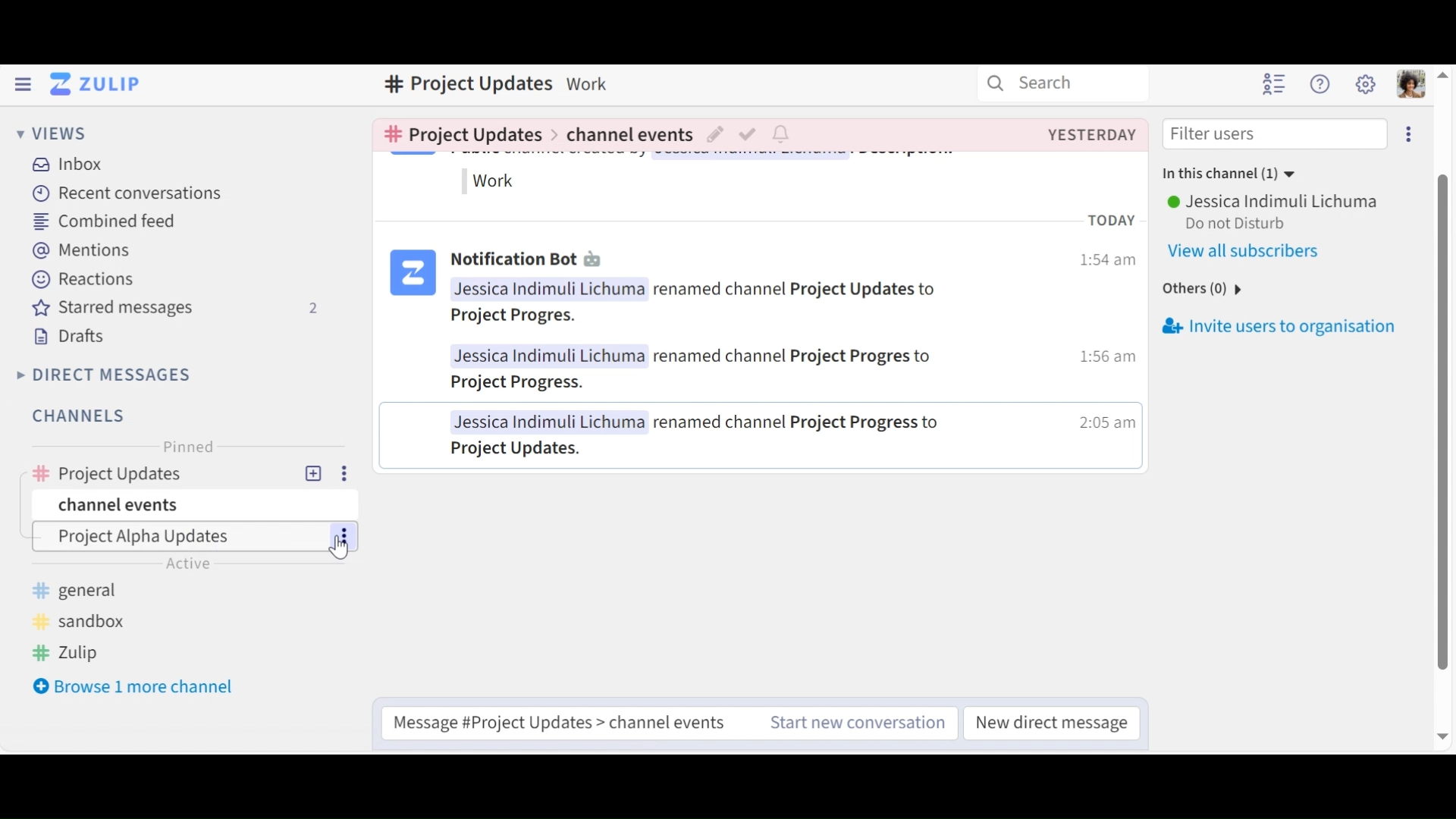 This screenshot has width=1456, height=819. I want to click on Main menu, so click(1364, 83).